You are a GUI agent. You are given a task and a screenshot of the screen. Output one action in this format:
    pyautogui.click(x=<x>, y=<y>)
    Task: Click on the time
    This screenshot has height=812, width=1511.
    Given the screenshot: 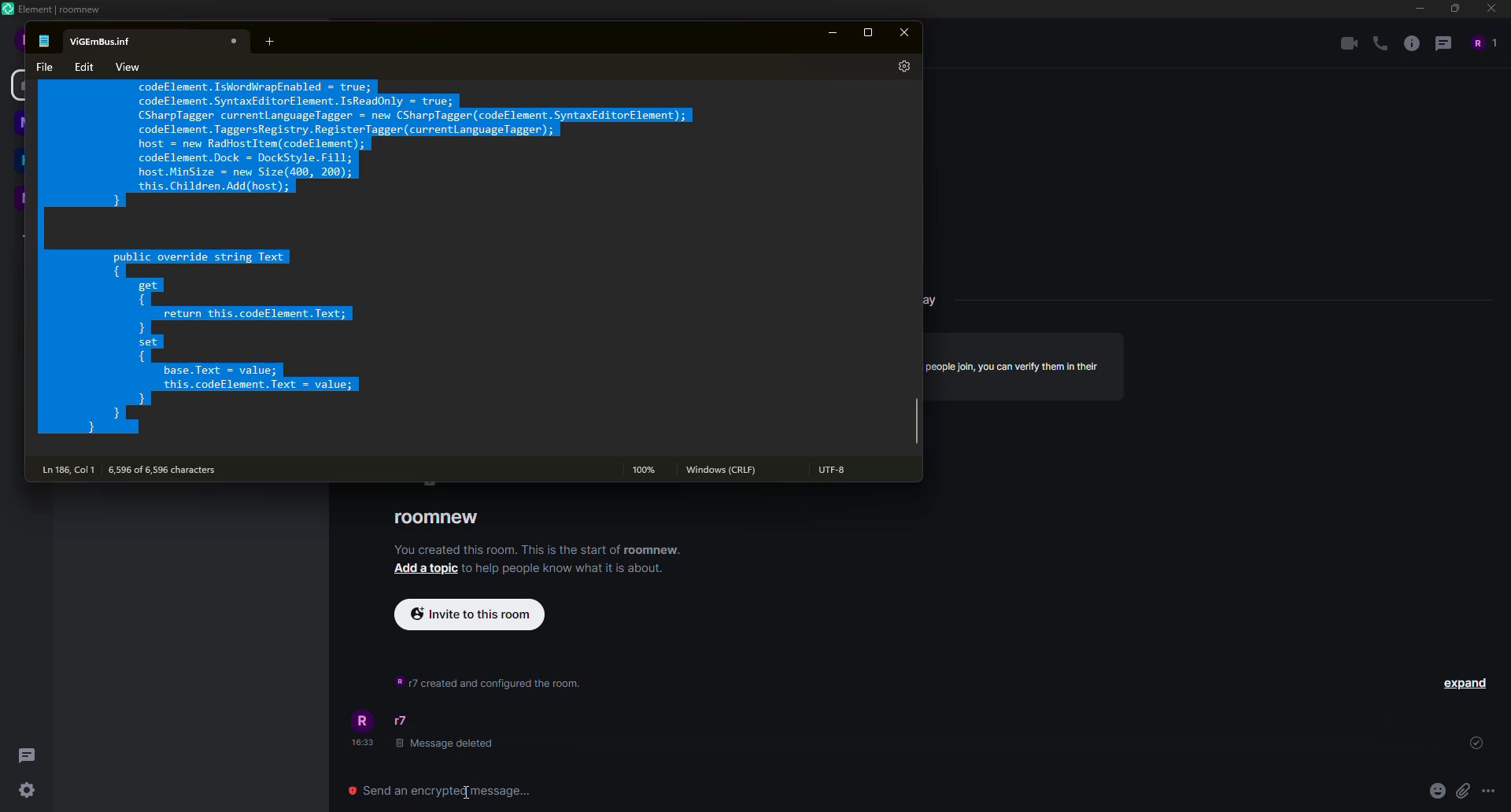 What is the action you would take?
    pyautogui.click(x=364, y=744)
    